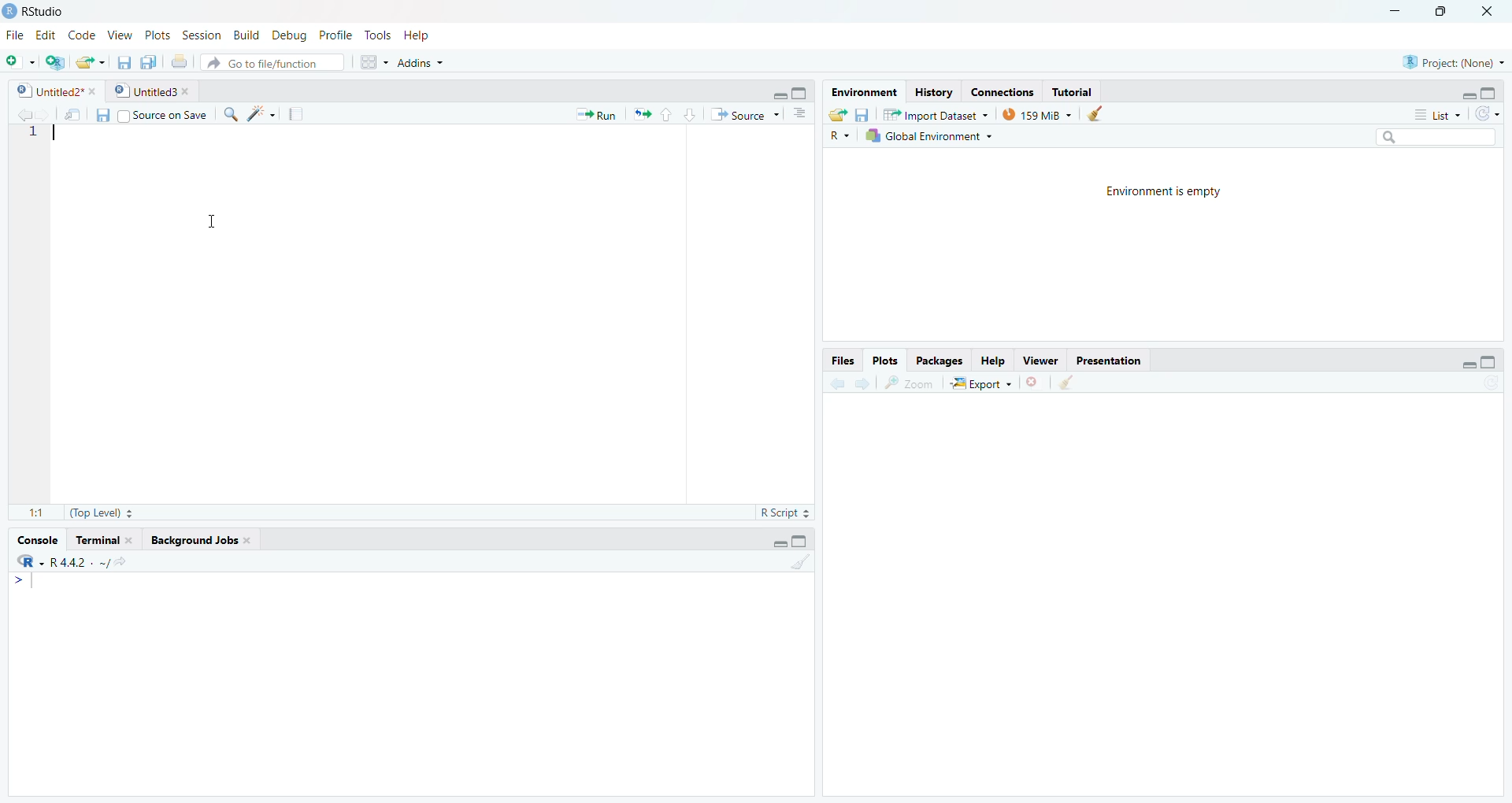  I want to click on Packages, so click(939, 361).